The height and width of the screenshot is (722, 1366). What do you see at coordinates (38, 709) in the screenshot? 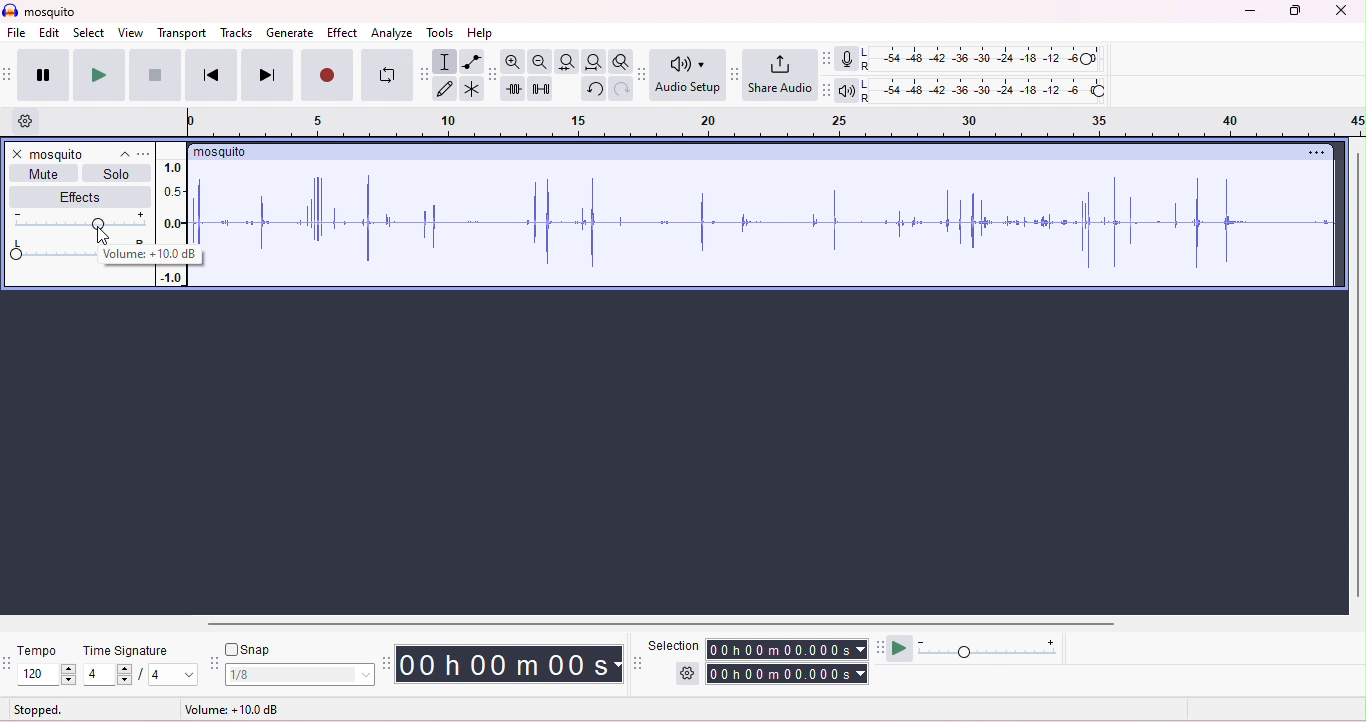
I see `stopped` at bounding box center [38, 709].